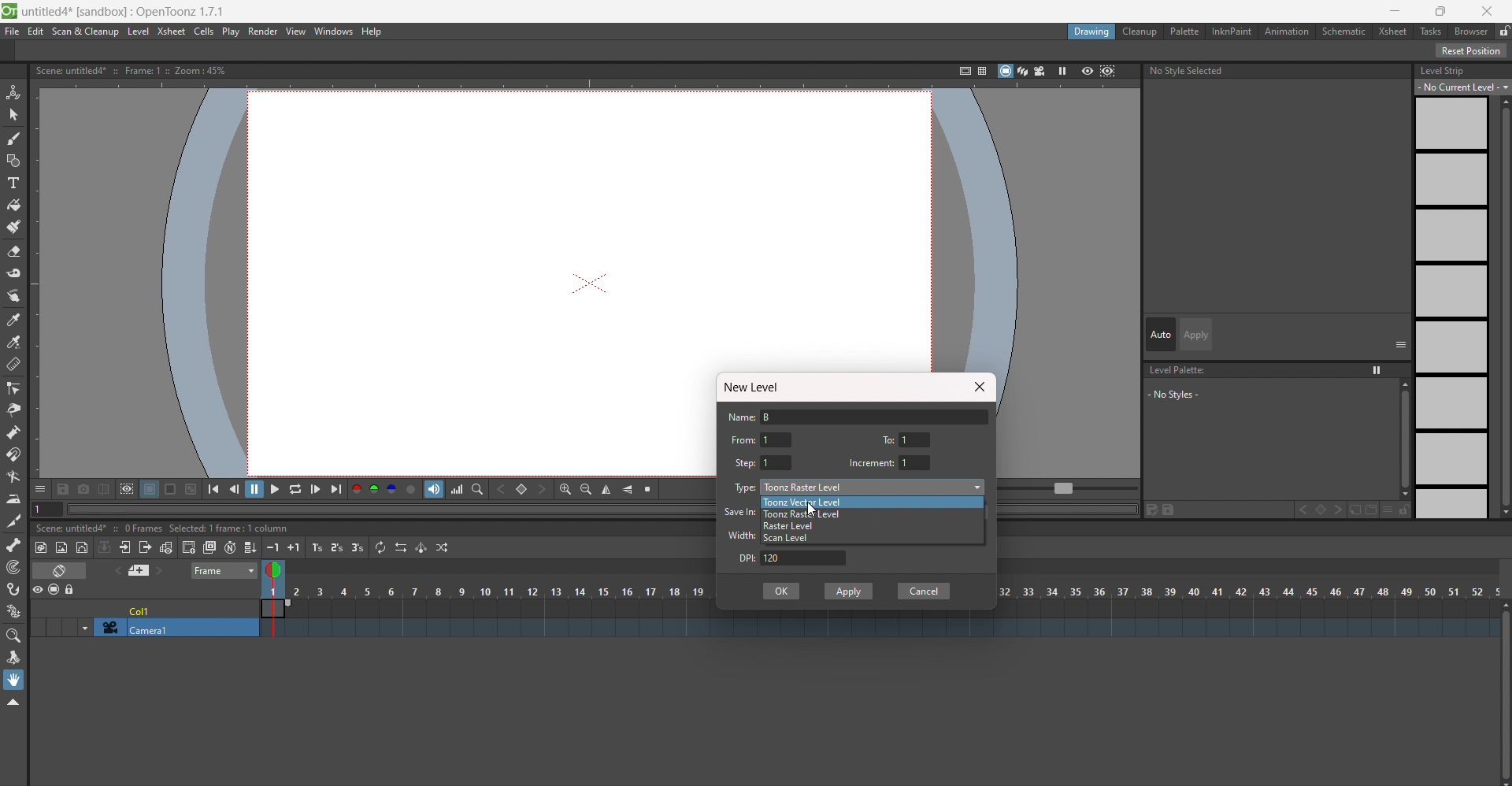  What do you see at coordinates (746, 463) in the screenshot?
I see `step` at bounding box center [746, 463].